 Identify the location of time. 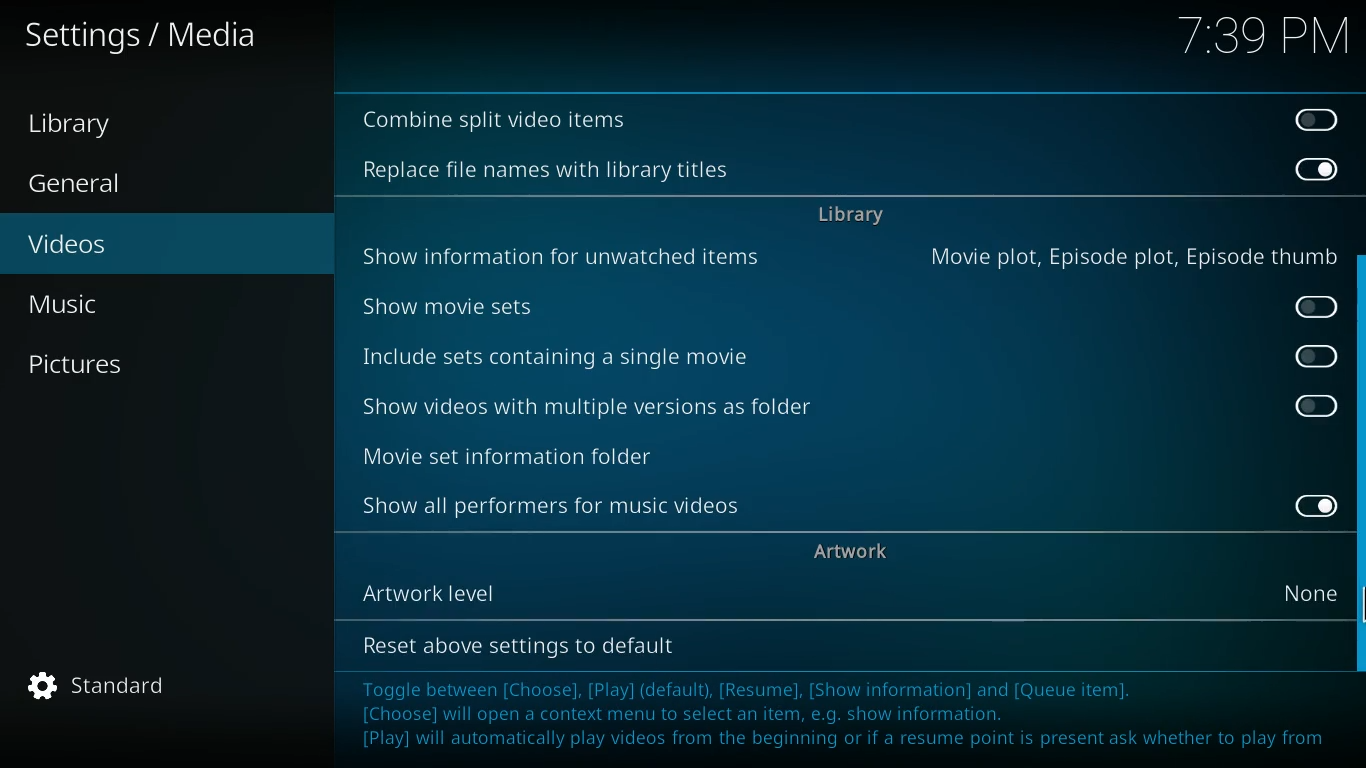
(1260, 38).